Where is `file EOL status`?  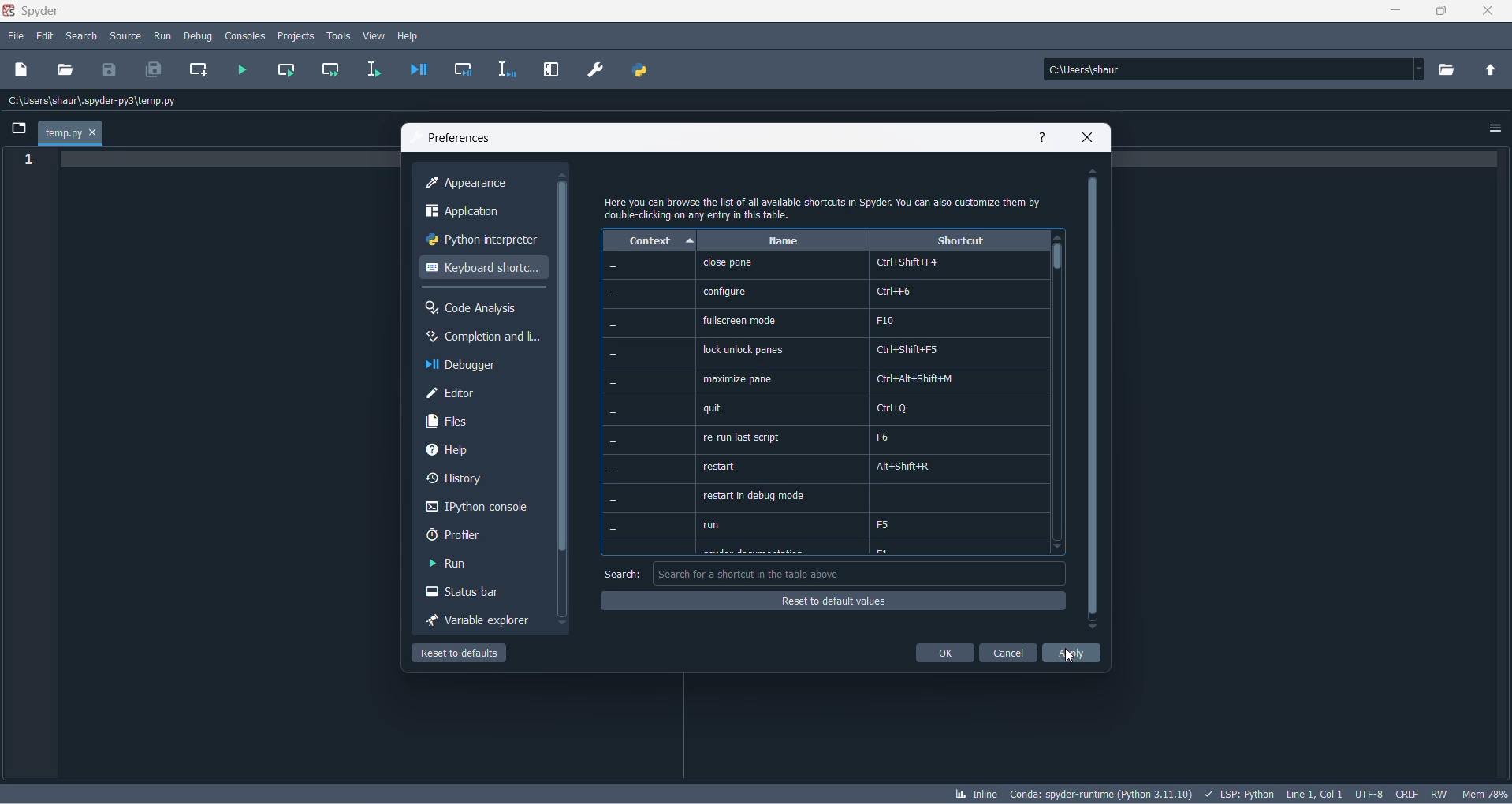 file EOL status is located at coordinates (1408, 794).